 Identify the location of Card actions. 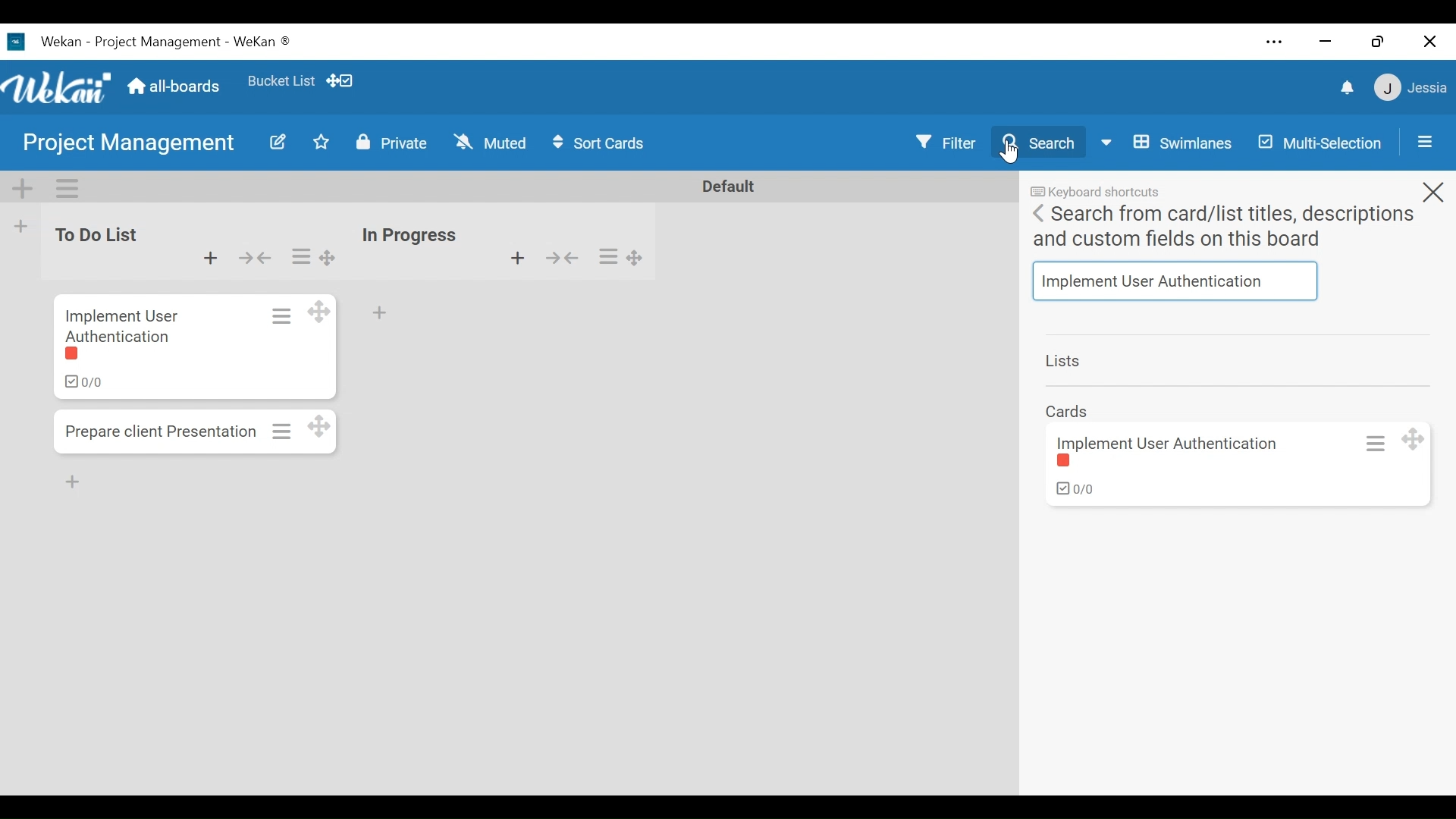
(283, 430).